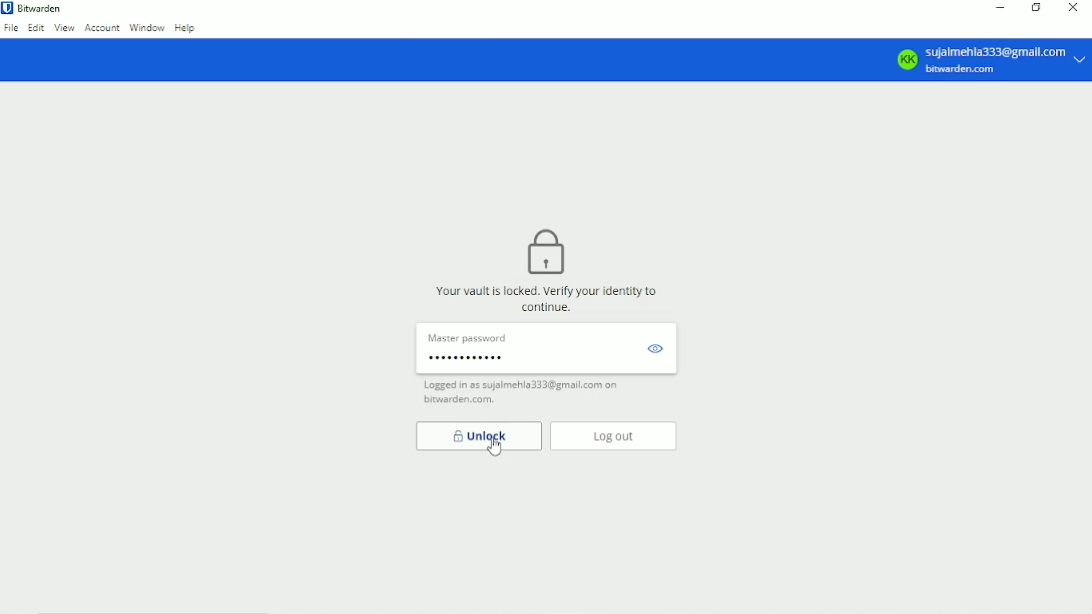  What do you see at coordinates (64, 28) in the screenshot?
I see `View` at bounding box center [64, 28].